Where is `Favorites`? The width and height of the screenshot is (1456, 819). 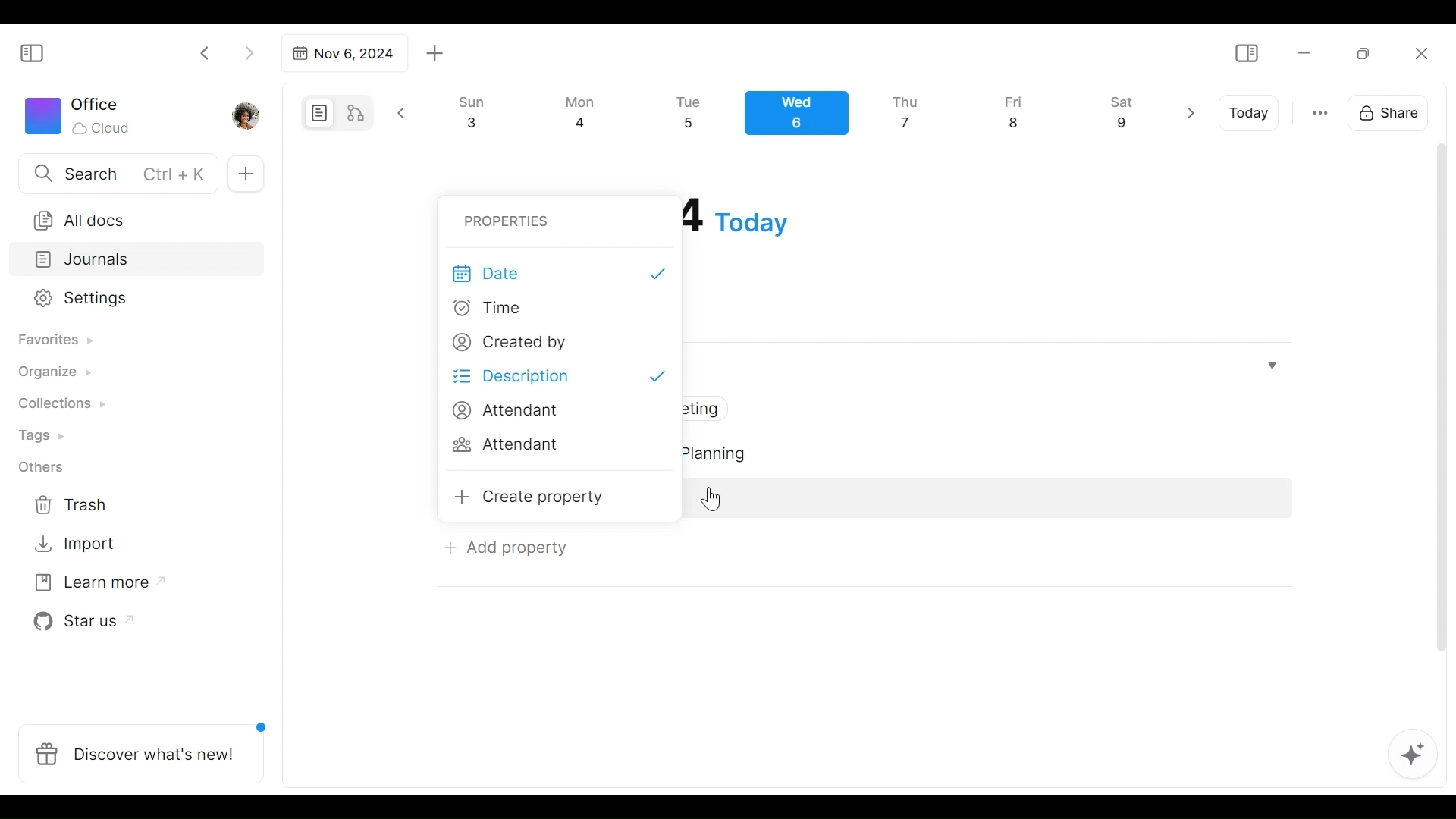
Favorites is located at coordinates (54, 340).